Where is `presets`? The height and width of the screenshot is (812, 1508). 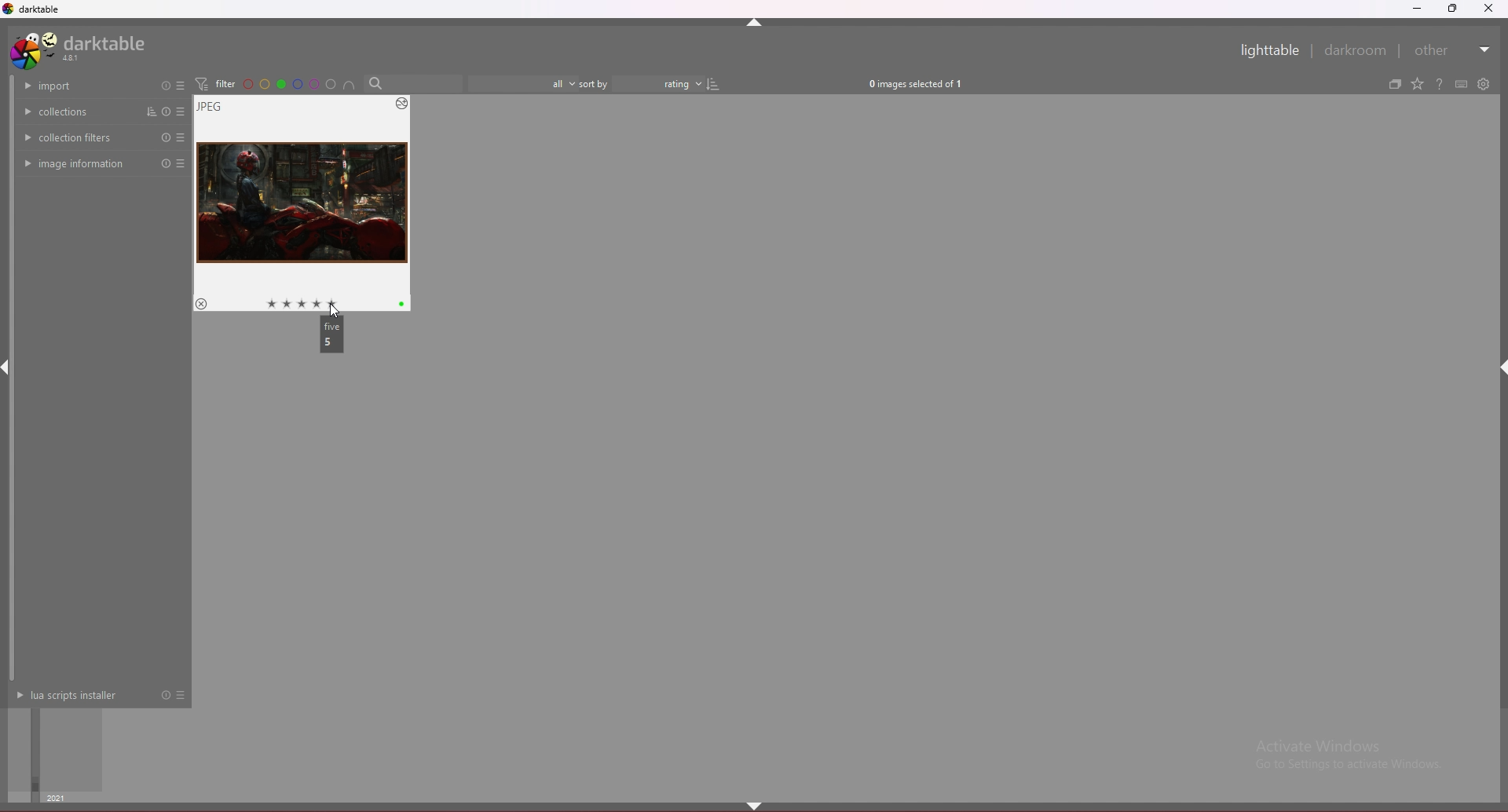
presets is located at coordinates (183, 112).